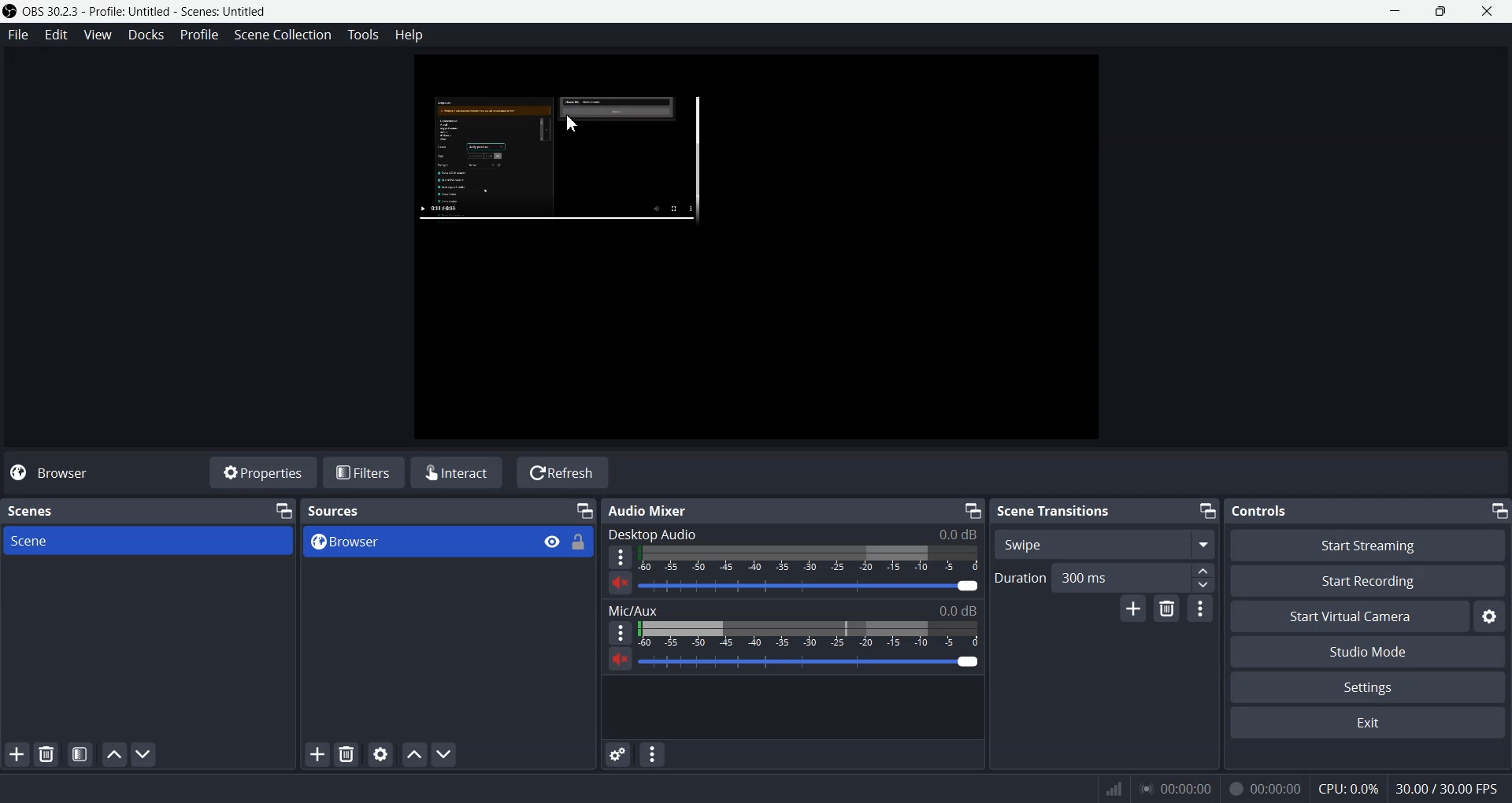  Describe the element at coordinates (1263, 788) in the screenshot. I see `00:00:00` at that location.